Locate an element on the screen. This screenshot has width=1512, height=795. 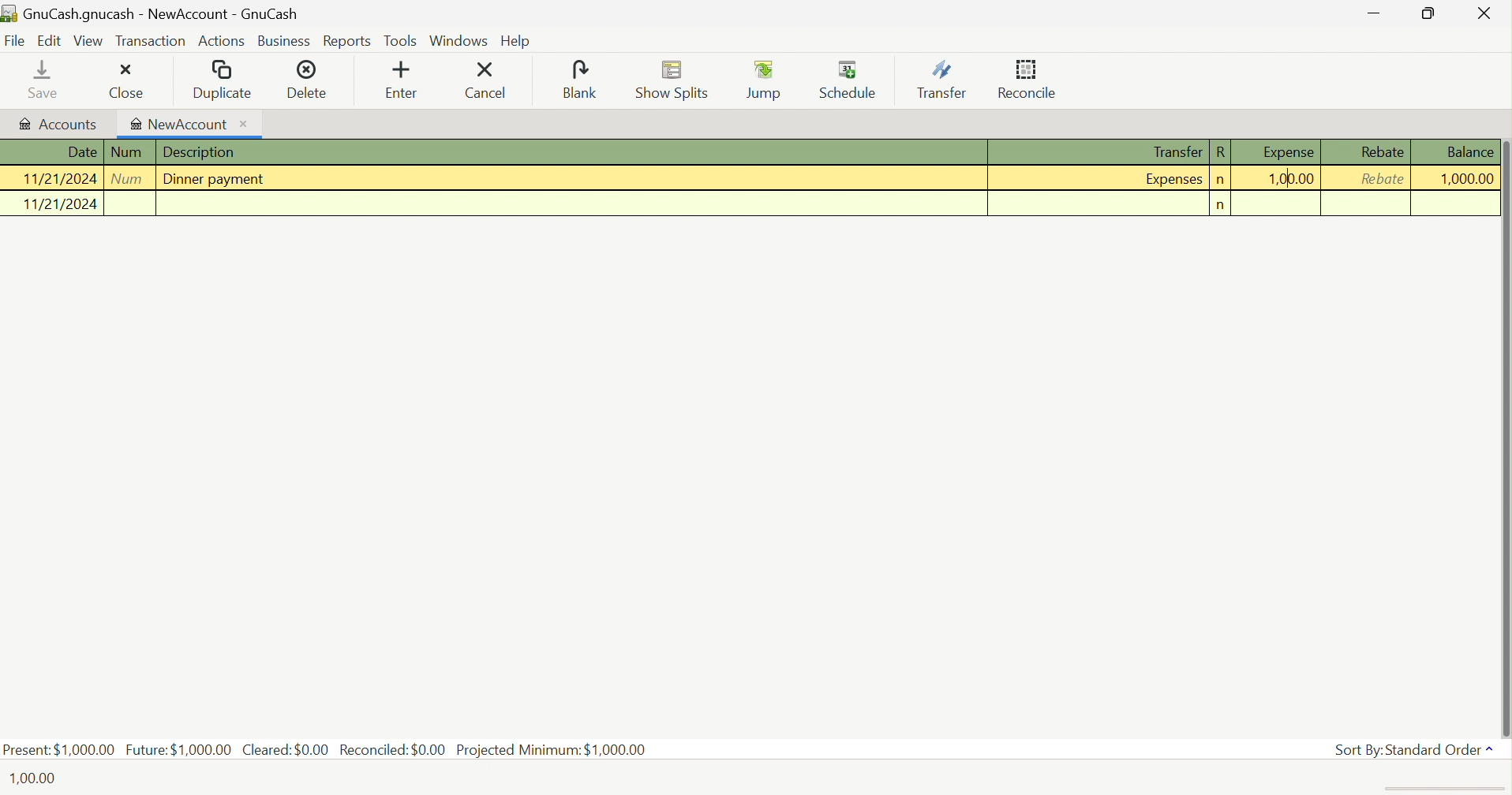
11/21/2024 is located at coordinates (58, 179).